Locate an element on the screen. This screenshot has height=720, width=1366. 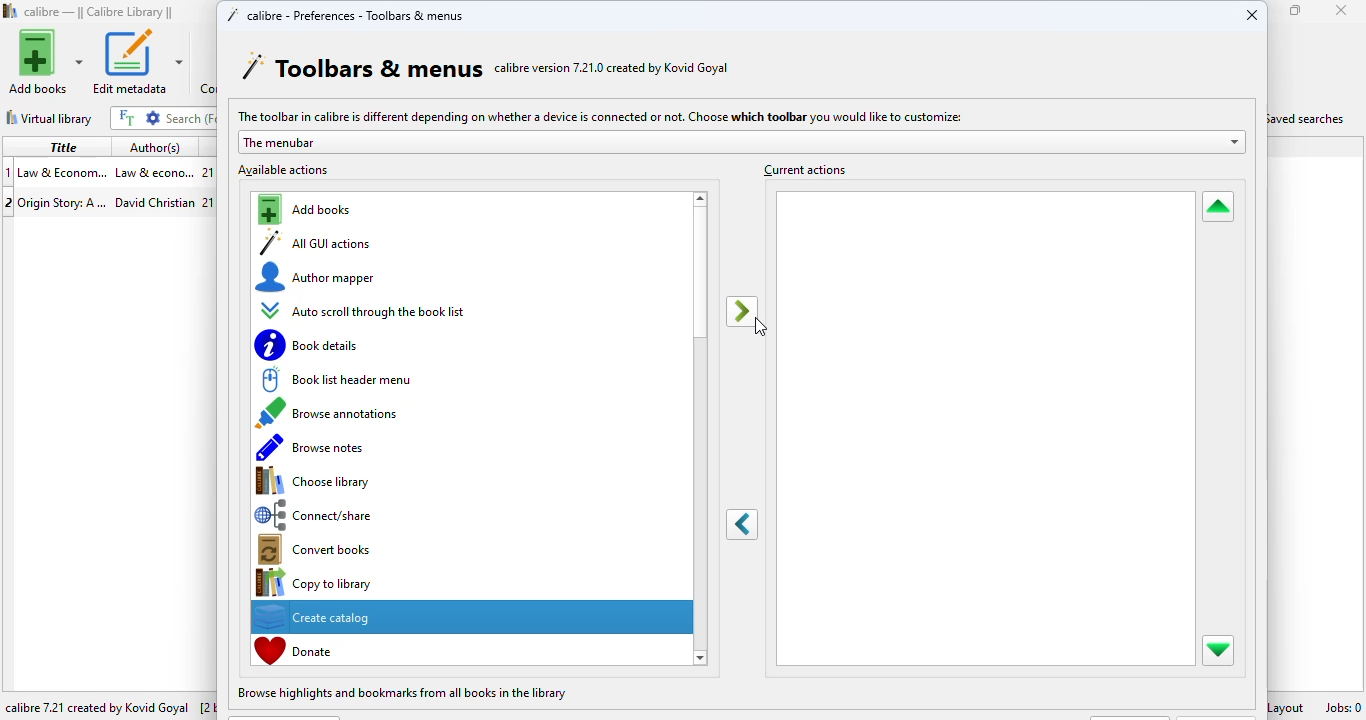
edit metadata is located at coordinates (137, 62).